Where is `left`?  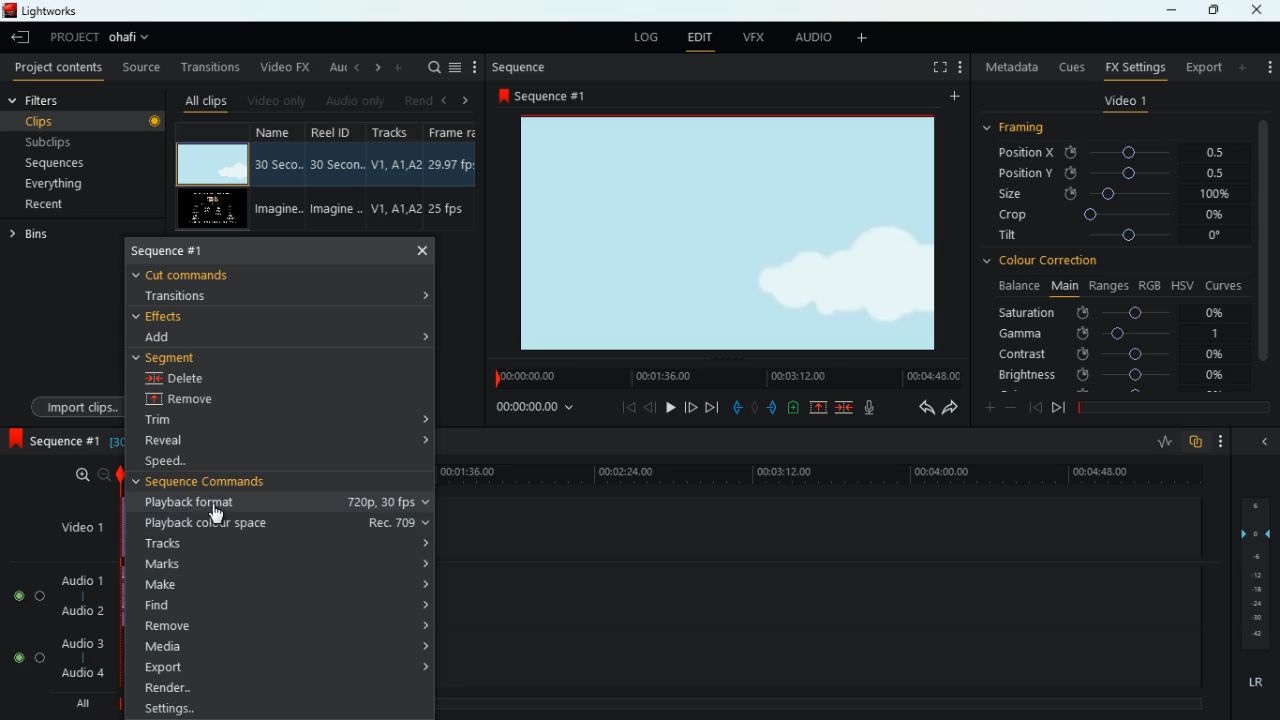
left is located at coordinates (443, 100).